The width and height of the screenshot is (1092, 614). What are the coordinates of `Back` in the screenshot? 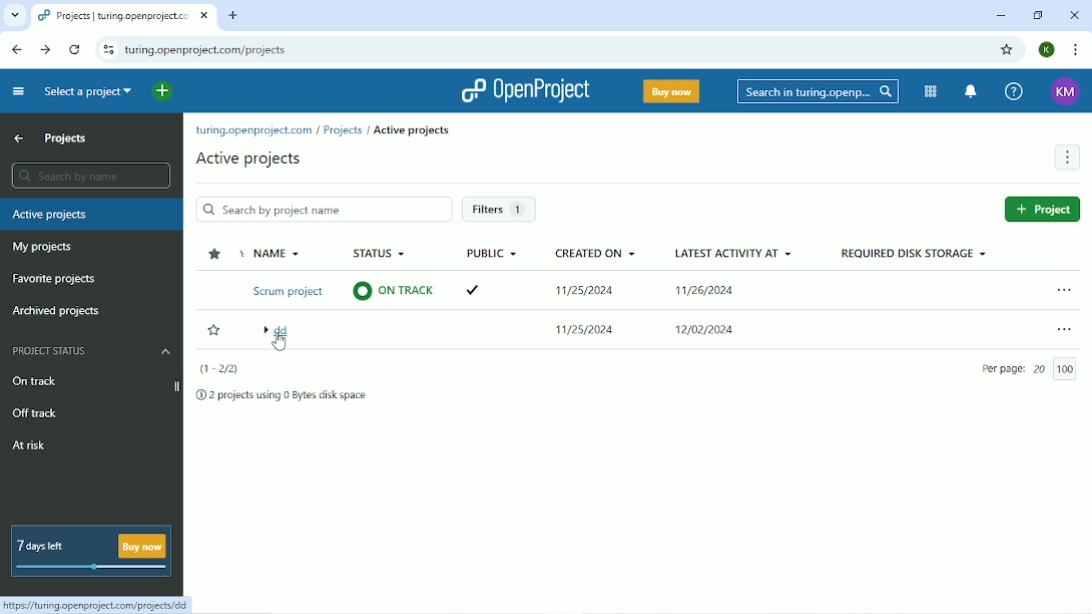 It's located at (19, 50).